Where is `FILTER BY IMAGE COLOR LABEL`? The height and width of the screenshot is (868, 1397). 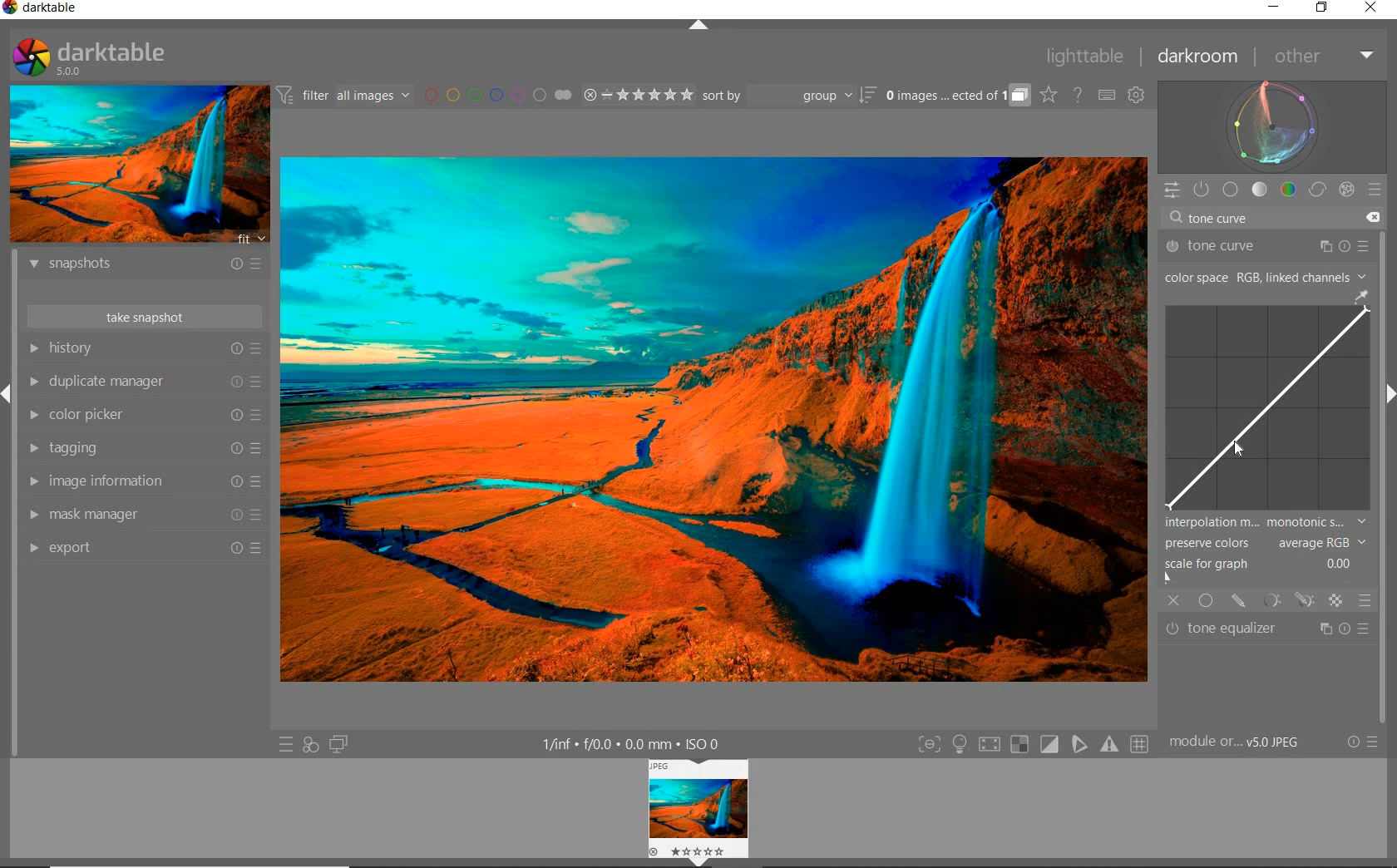
FILTER BY IMAGE COLOR LABEL is located at coordinates (499, 96).